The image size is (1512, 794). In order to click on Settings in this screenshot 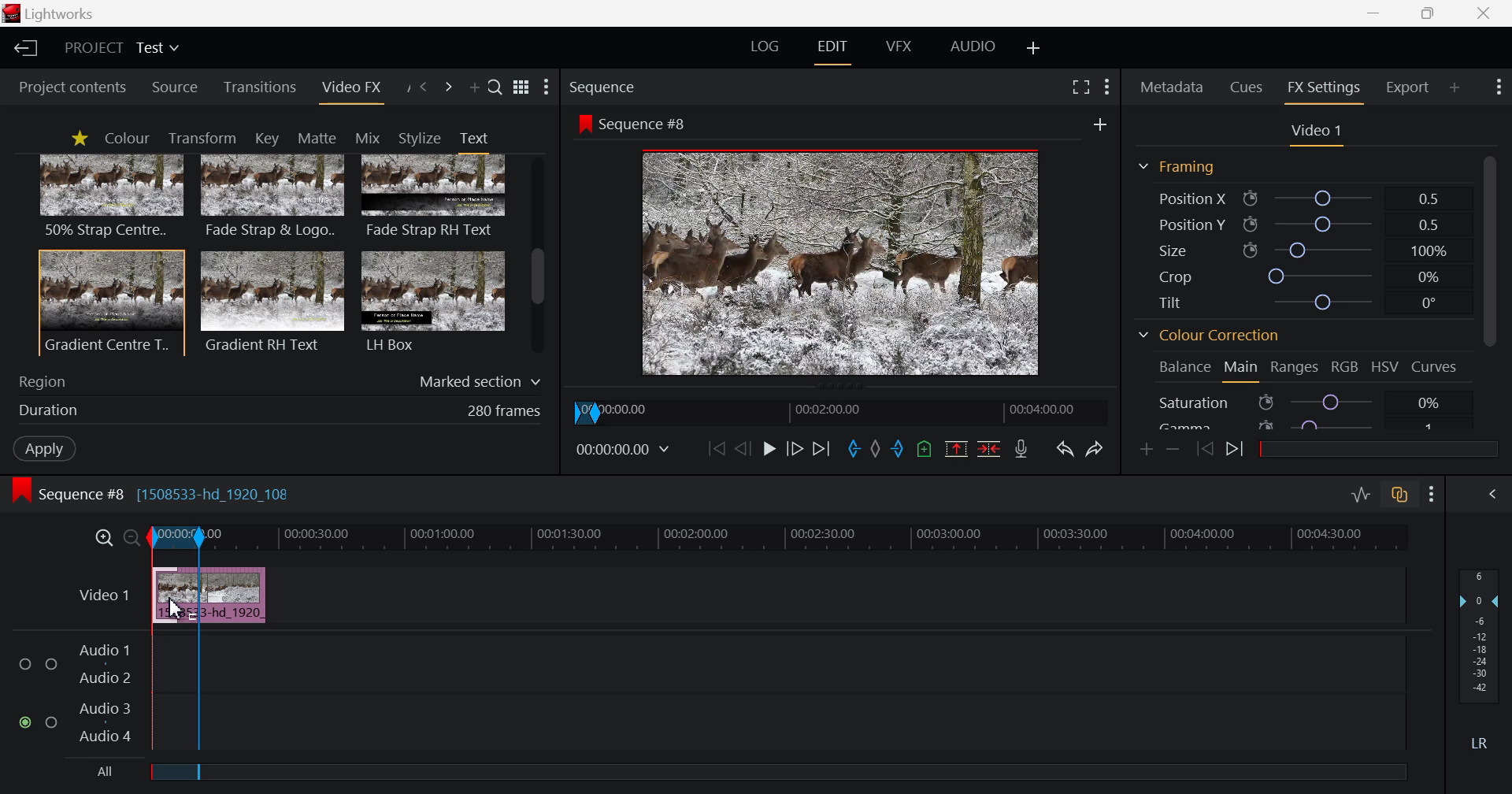, I will do `click(1106, 85)`.